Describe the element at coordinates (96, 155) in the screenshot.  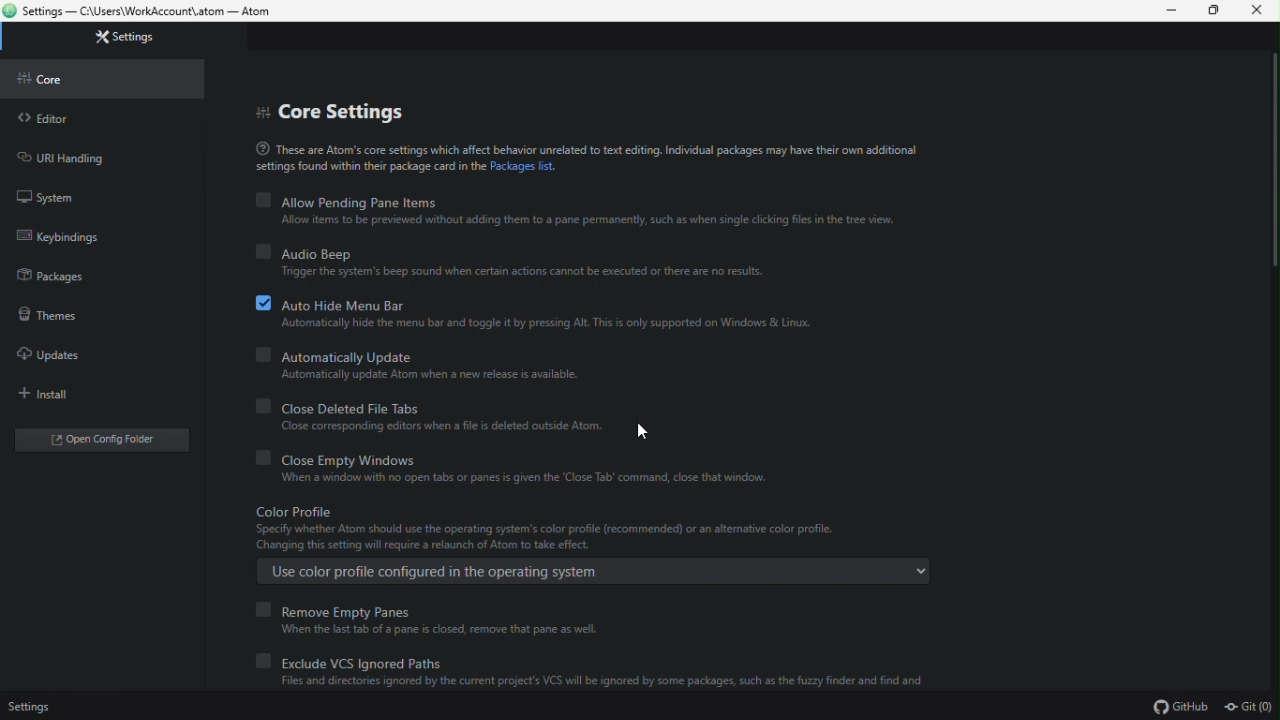
I see `URI Handling` at that location.